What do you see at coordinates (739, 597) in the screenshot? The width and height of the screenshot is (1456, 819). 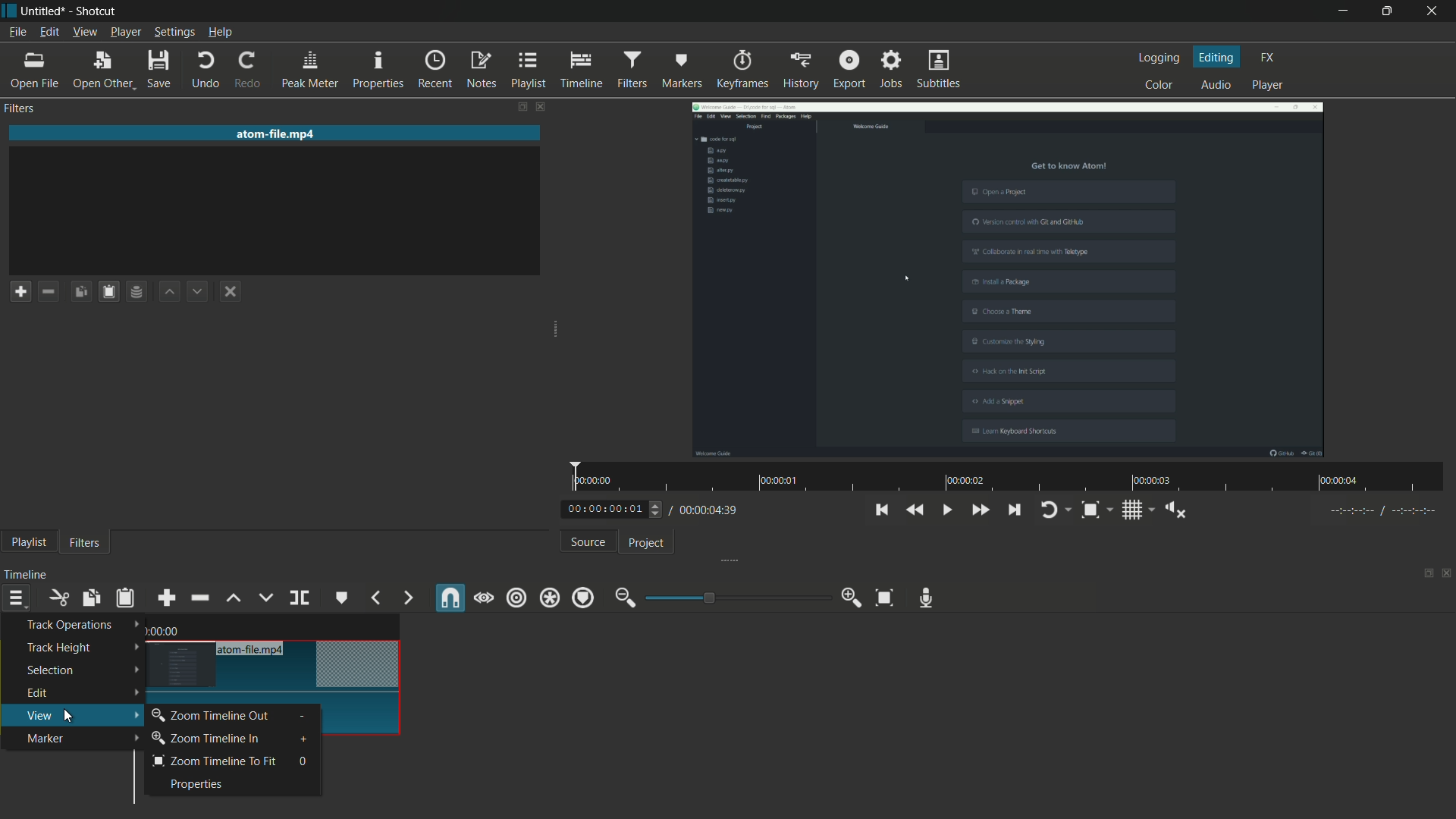 I see `adjustment bar` at bounding box center [739, 597].